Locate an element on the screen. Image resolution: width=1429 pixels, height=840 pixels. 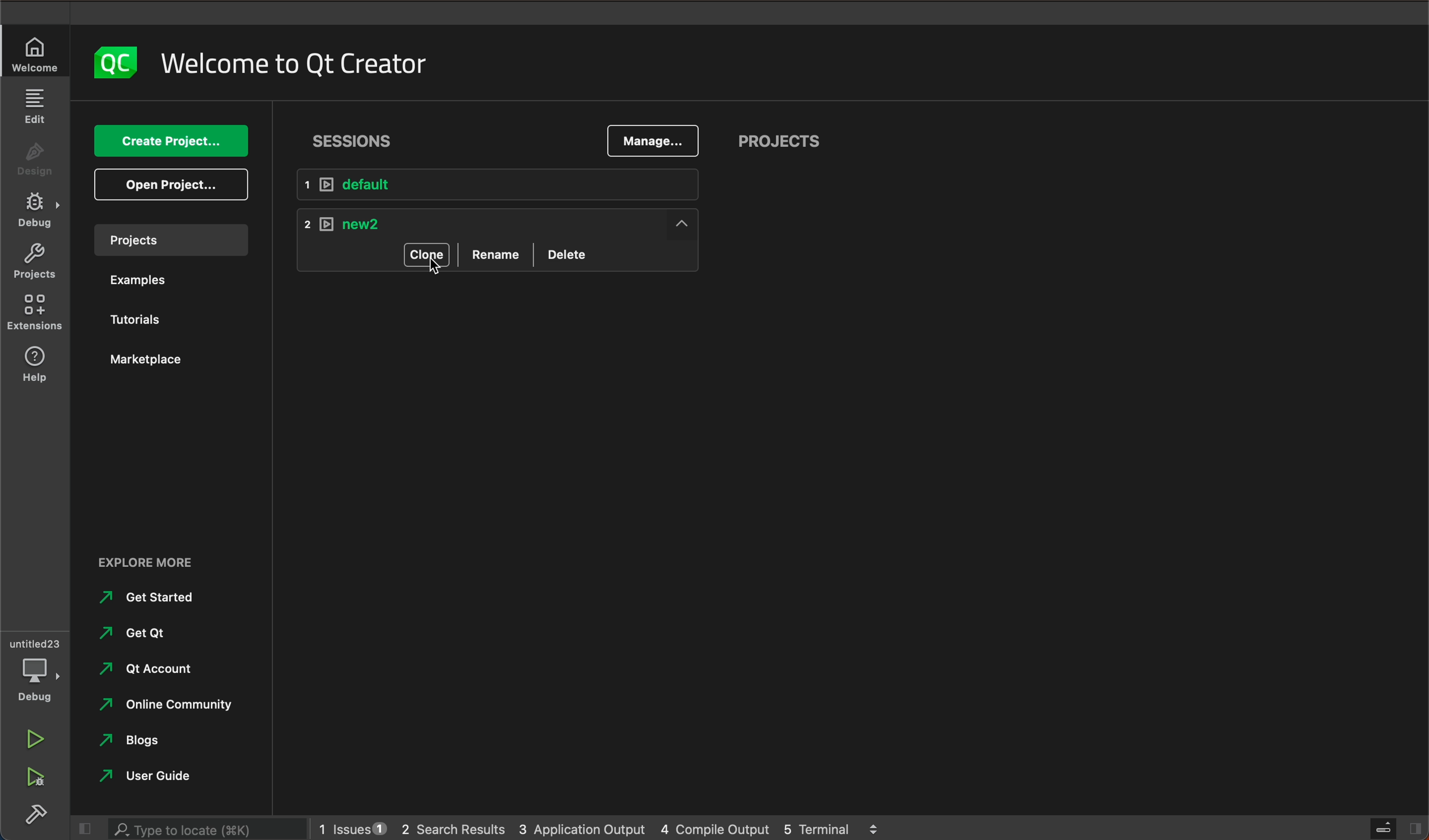
search results is located at coordinates (453, 826).